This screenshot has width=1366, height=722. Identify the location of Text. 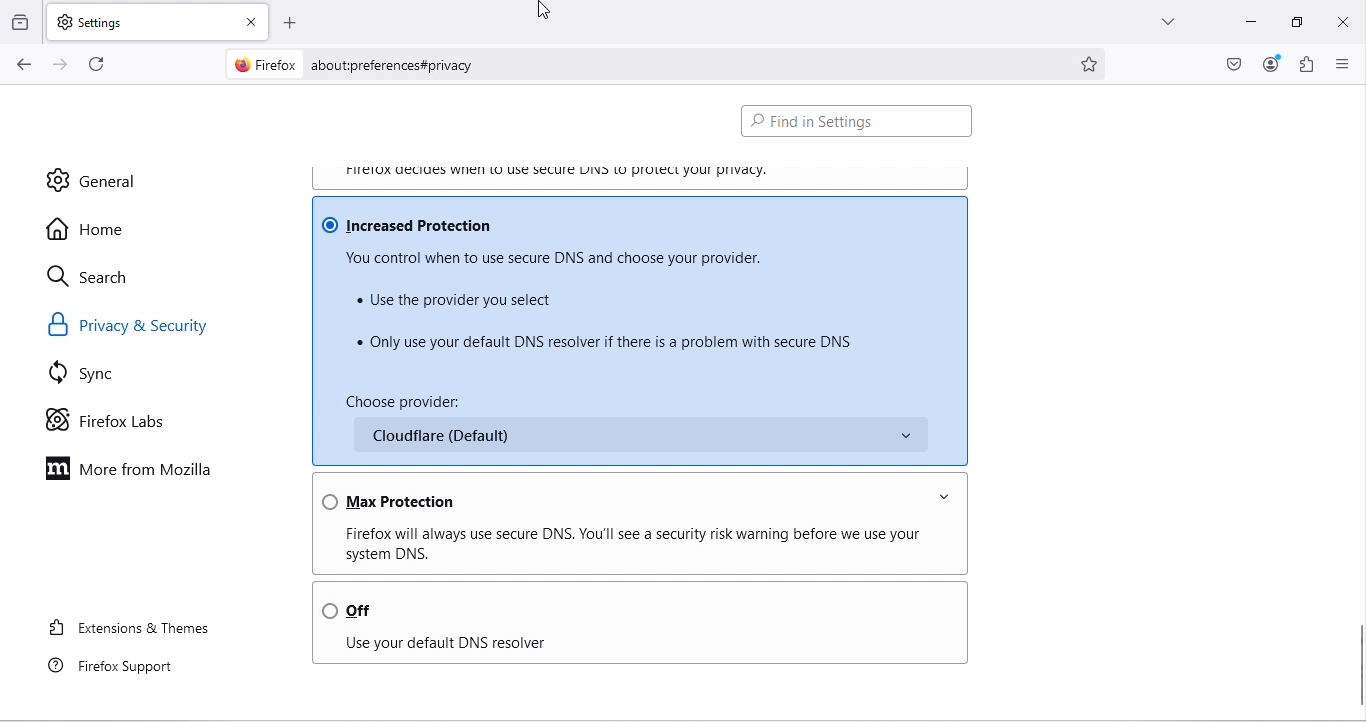
(535, 396).